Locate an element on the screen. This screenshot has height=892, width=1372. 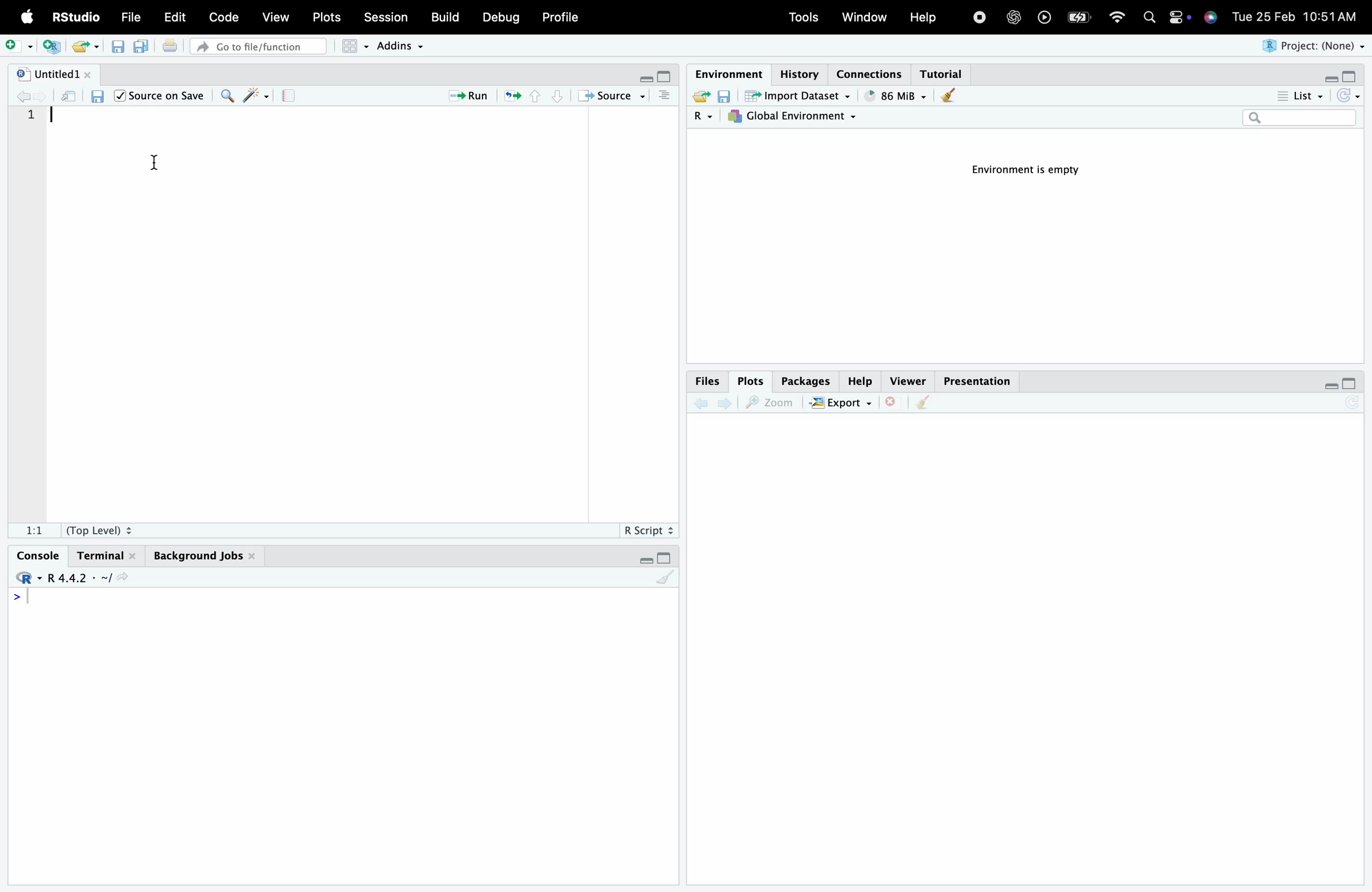
close is located at coordinates (894, 410).